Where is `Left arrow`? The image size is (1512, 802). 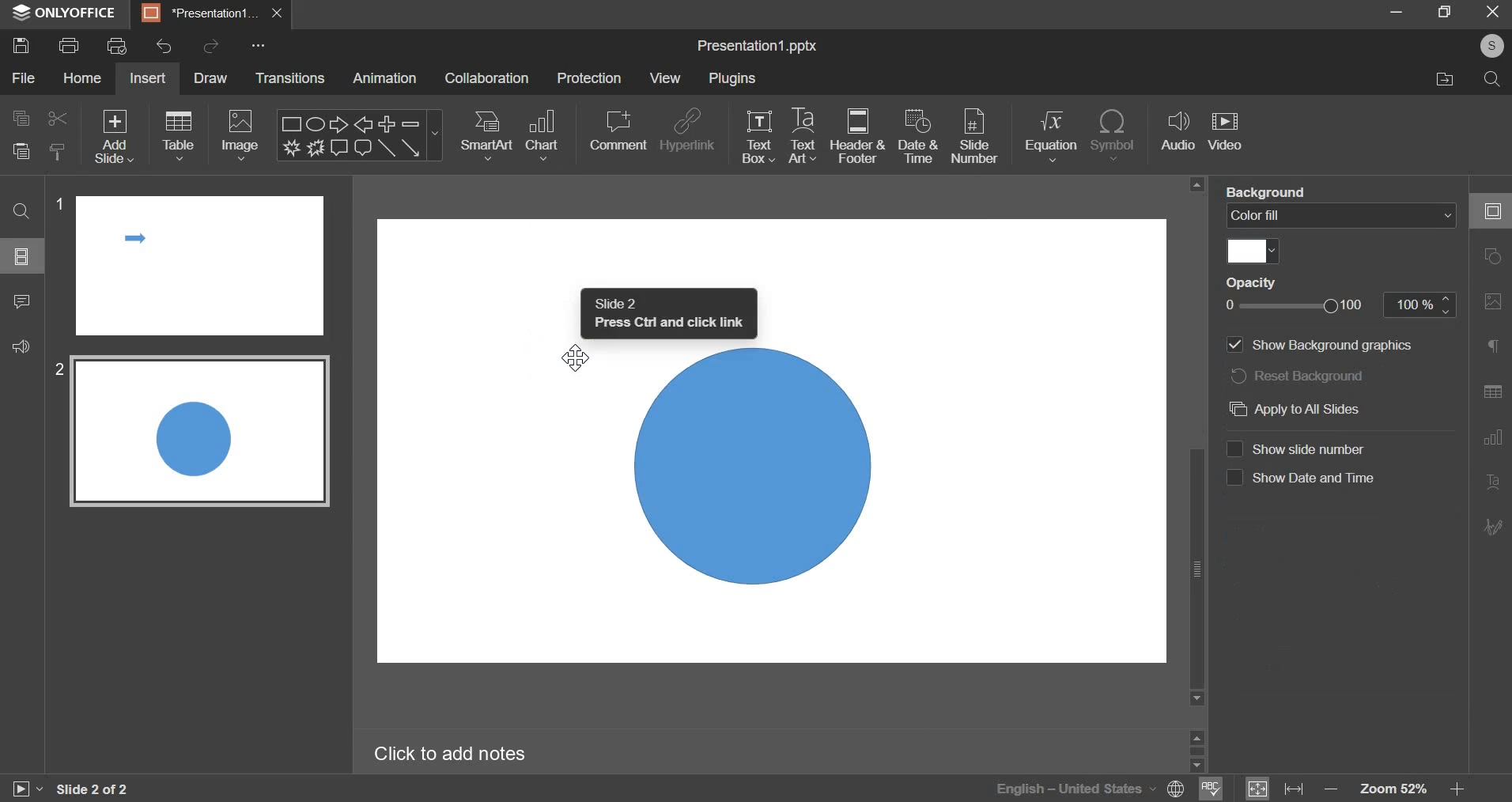 Left arrow is located at coordinates (364, 123).